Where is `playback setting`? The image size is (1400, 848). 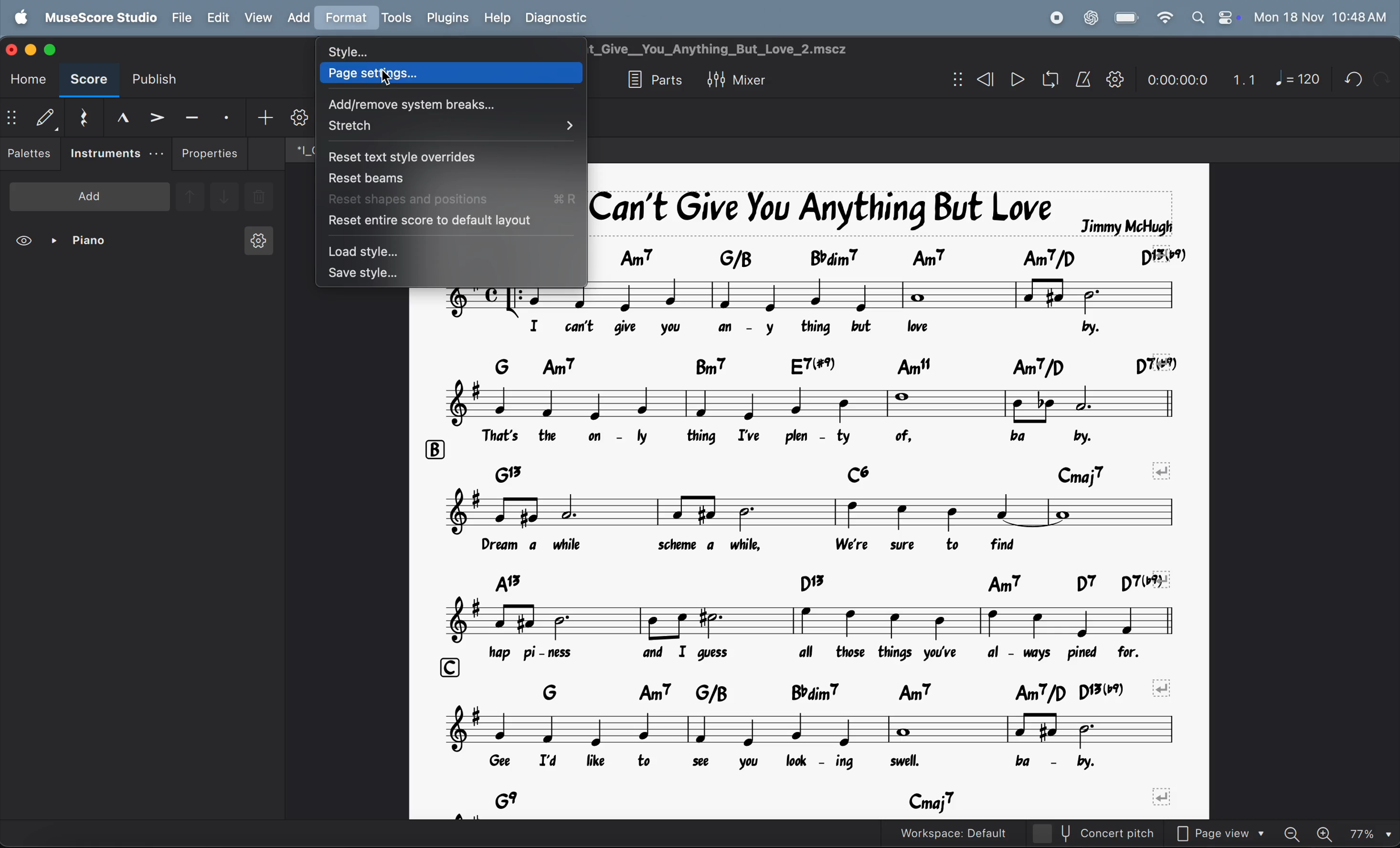
playback setting is located at coordinates (1115, 79).